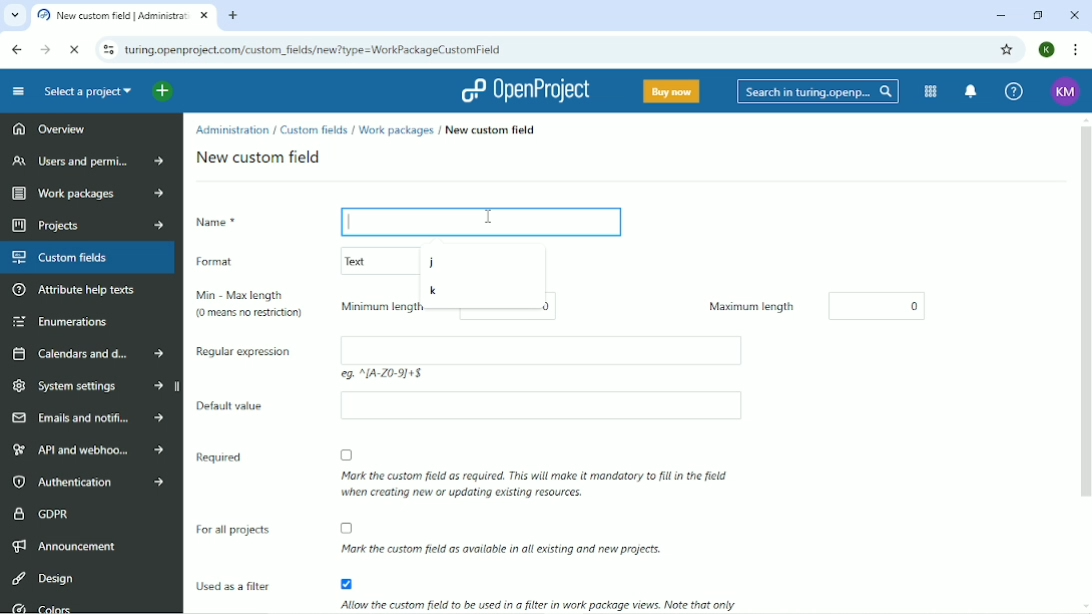  Describe the element at coordinates (1013, 92) in the screenshot. I see `Help` at that location.